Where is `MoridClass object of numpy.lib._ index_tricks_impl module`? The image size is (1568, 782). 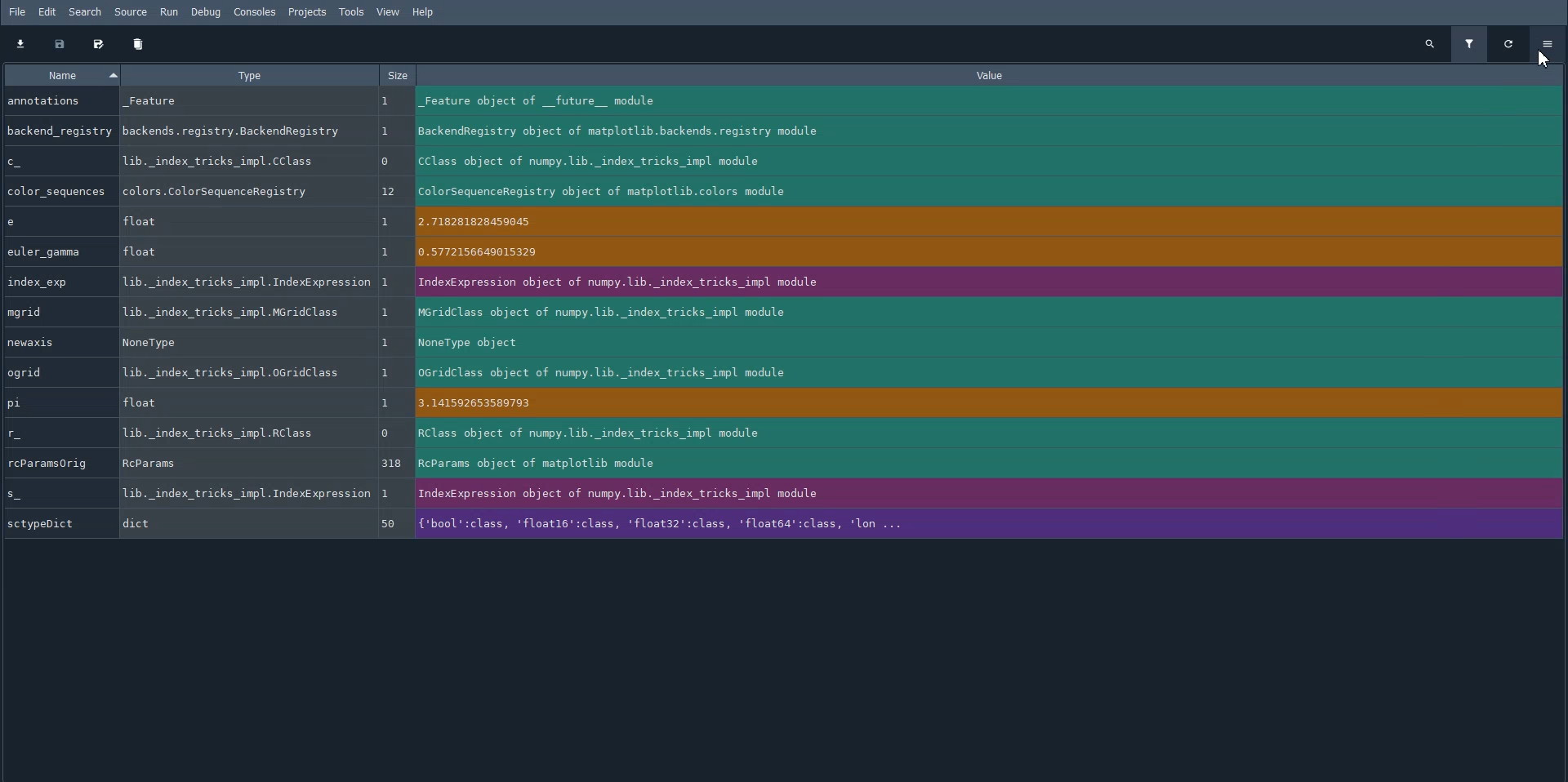
MoridClass object of numpy.lib._ index_tricks_impl module is located at coordinates (991, 313).